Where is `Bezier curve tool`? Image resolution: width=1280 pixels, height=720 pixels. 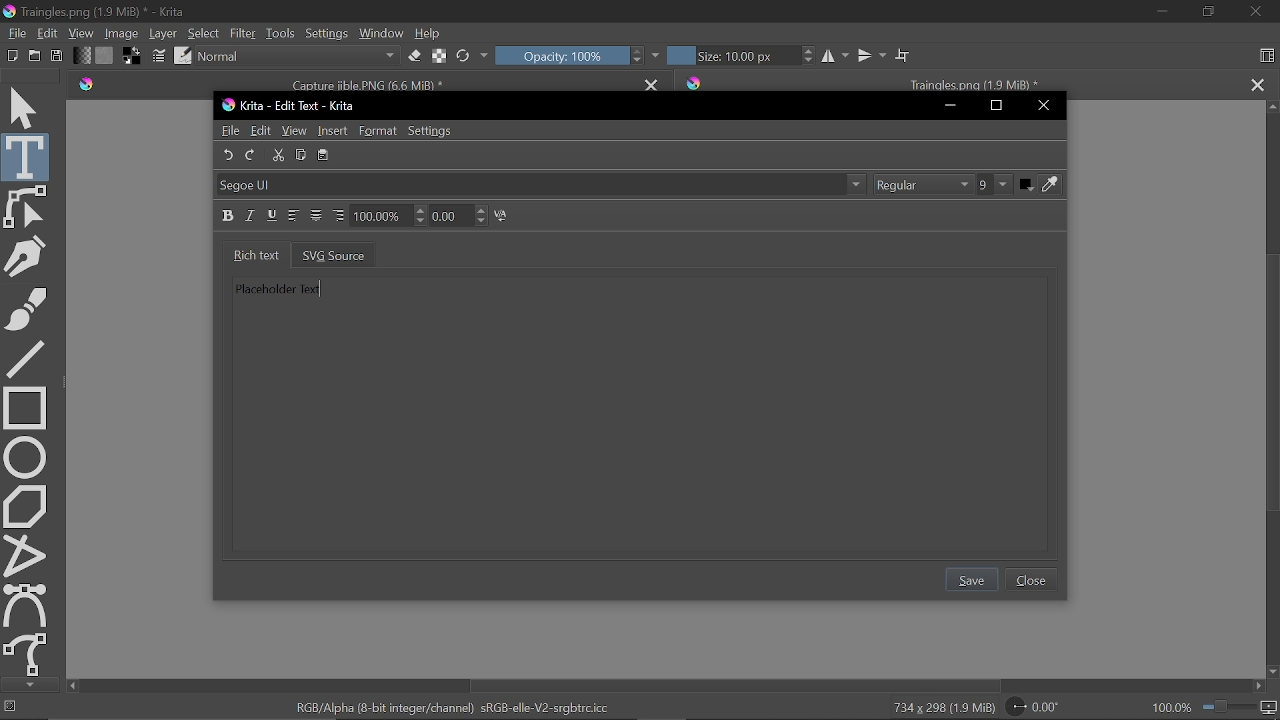
Bezier curve tool is located at coordinates (26, 603).